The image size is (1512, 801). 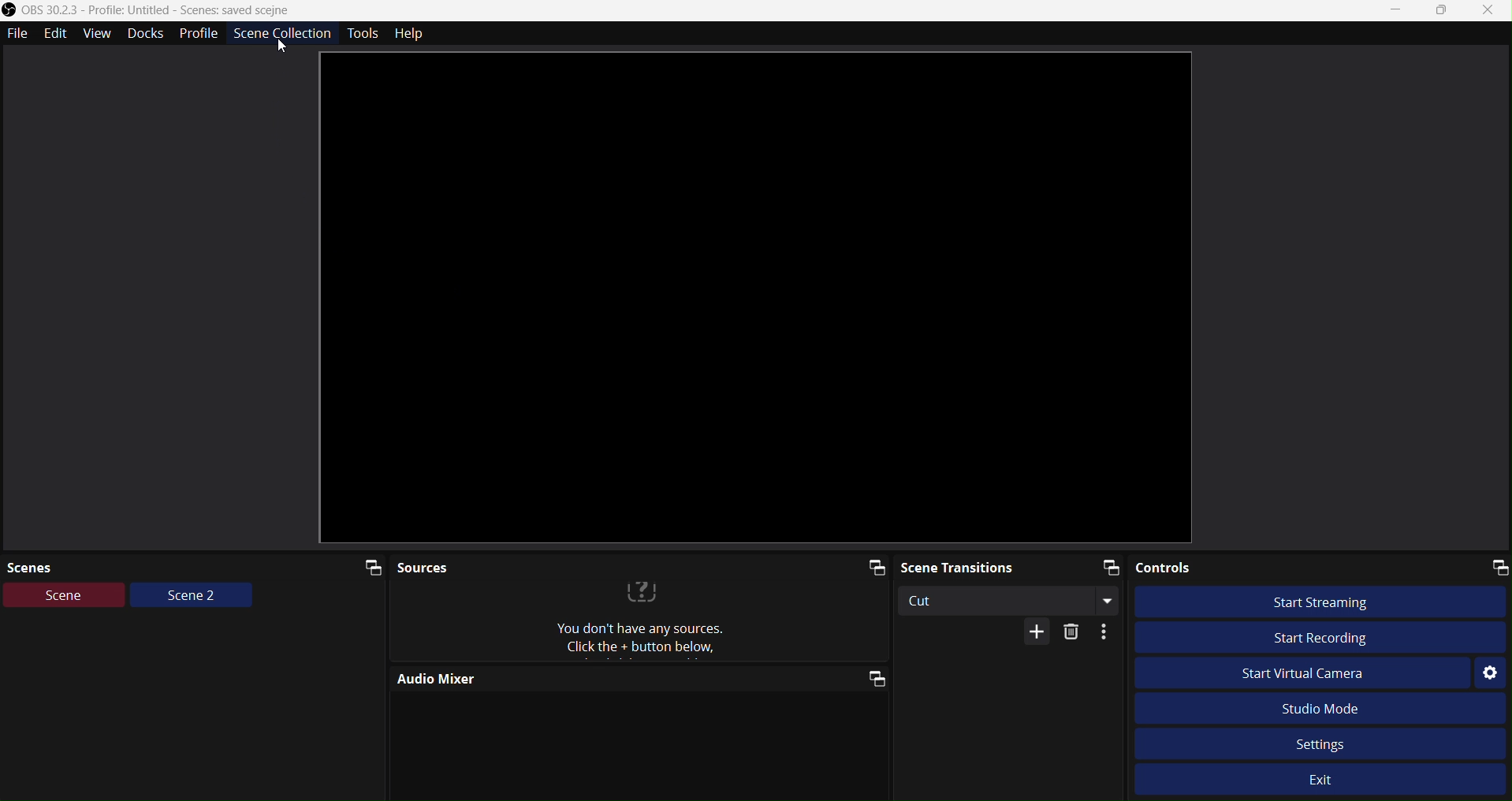 I want to click on Settings, so click(x=1324, y=744).